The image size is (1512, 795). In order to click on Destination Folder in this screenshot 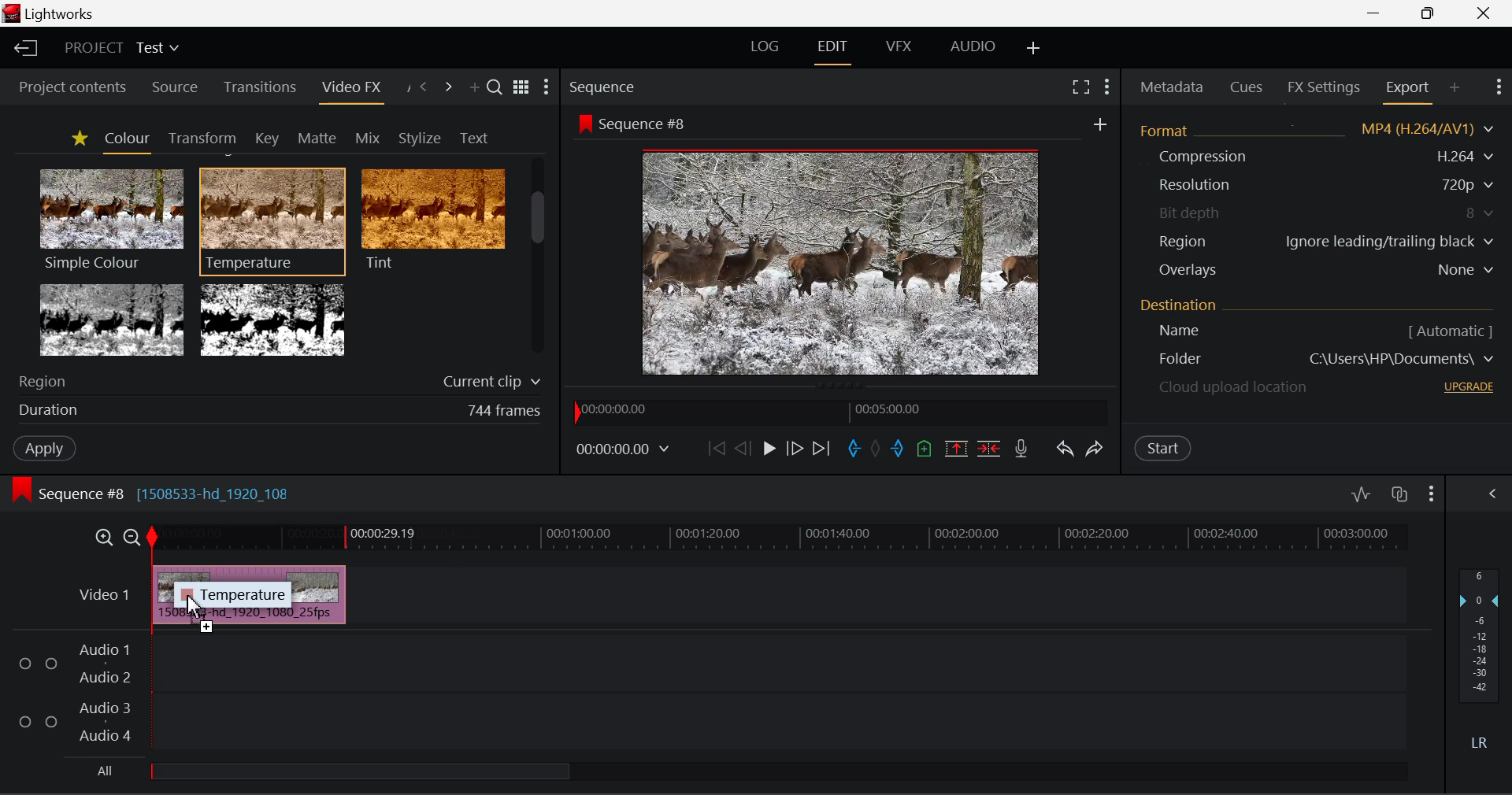, I will do `click(1171, 360)`.